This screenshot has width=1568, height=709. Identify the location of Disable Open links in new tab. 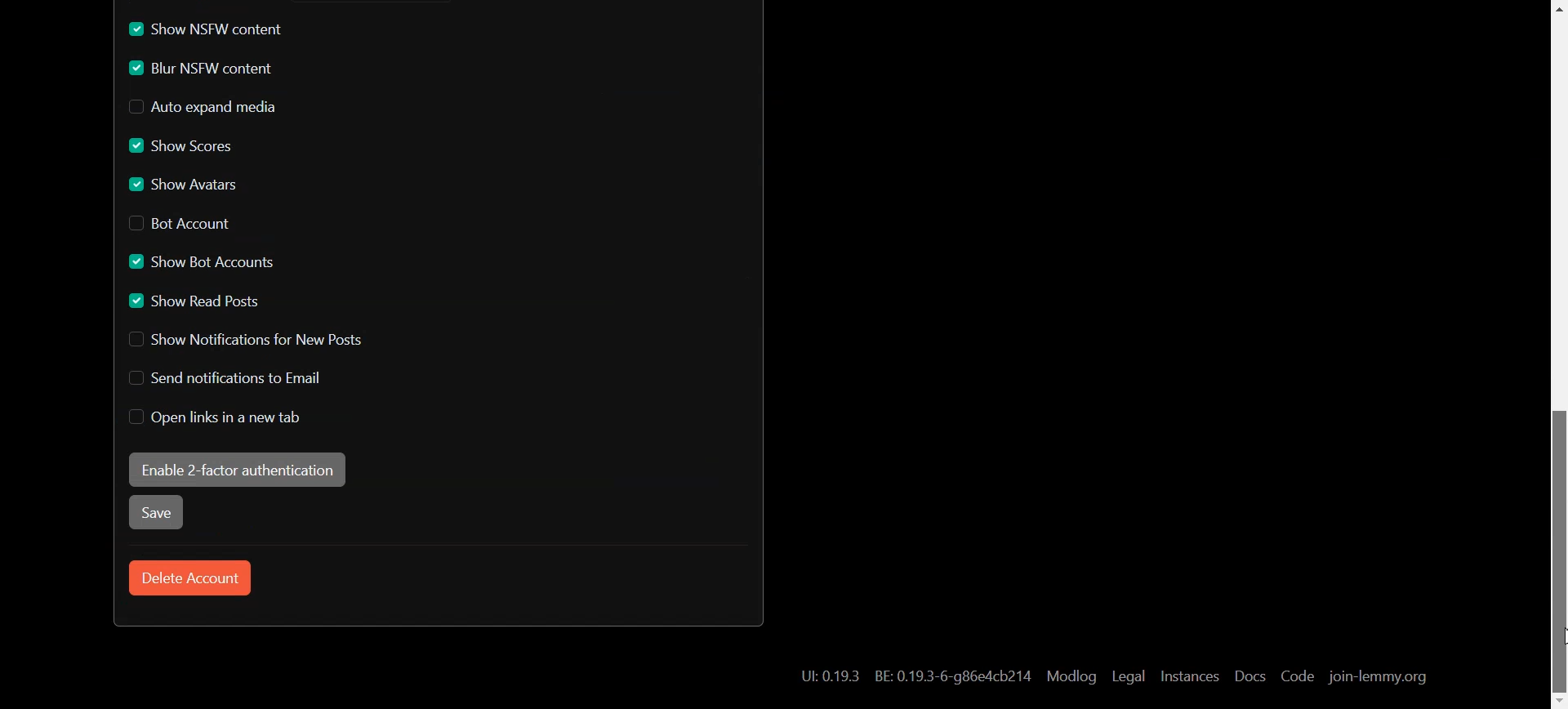
(216, 417).